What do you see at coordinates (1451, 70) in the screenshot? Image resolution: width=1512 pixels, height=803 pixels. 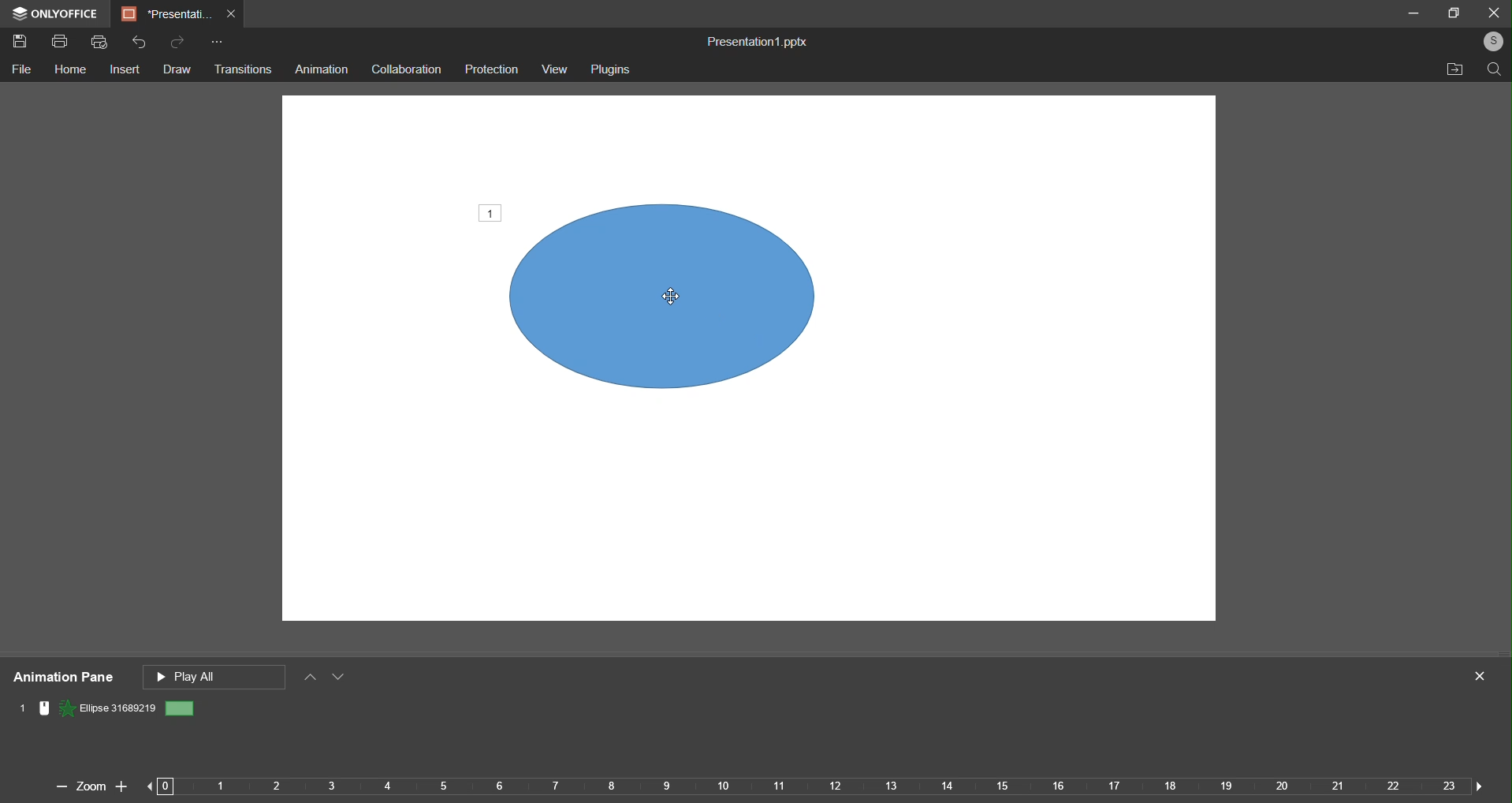 I see `open` at bounding box center [1451, 70].